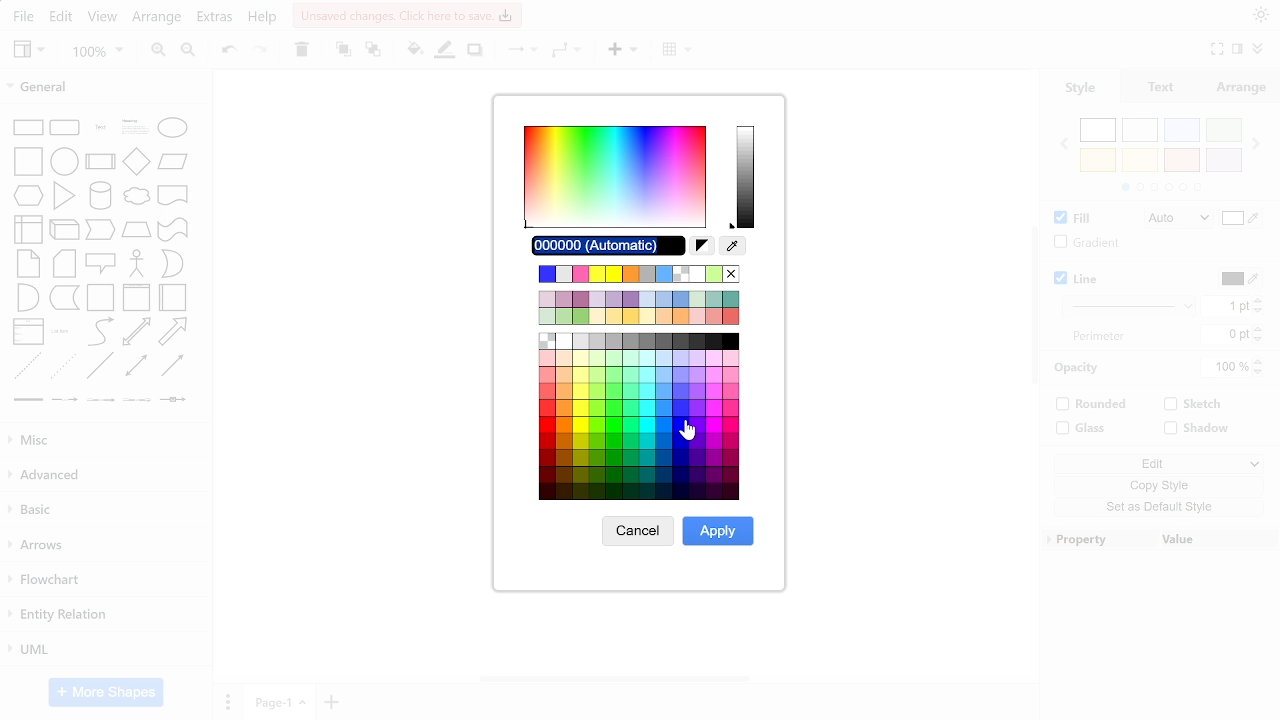  Describe the element at coordinates (1154, 485) in the screenshot. I see `copy style` at that location.